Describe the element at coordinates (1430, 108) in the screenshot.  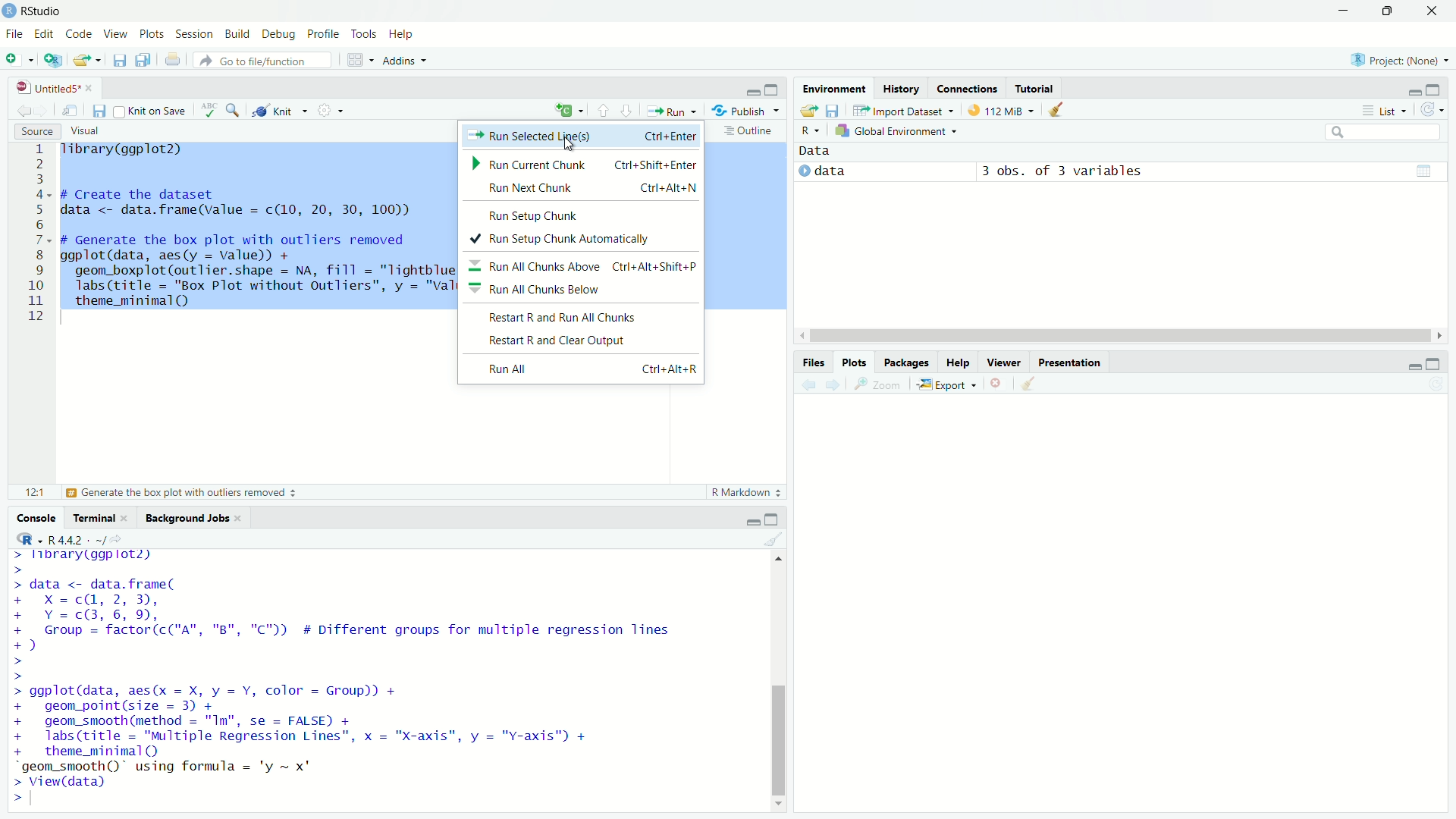
I see `refresh` at that location.